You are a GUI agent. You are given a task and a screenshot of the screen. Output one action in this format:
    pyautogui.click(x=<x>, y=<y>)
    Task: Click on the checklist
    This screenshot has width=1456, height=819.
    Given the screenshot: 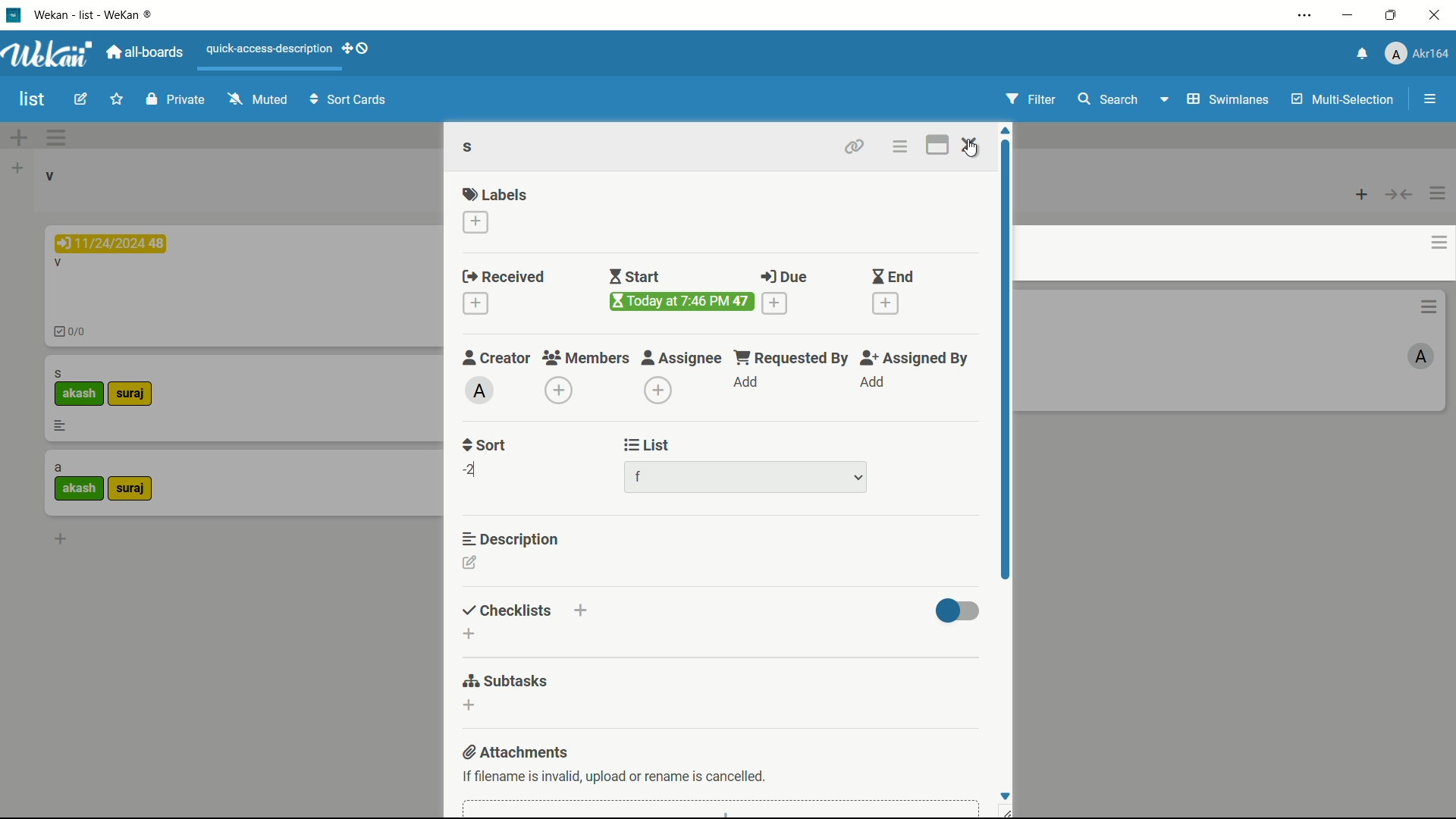 What is the action you would take?
    pyautogui.click(x=74, y=334)
    